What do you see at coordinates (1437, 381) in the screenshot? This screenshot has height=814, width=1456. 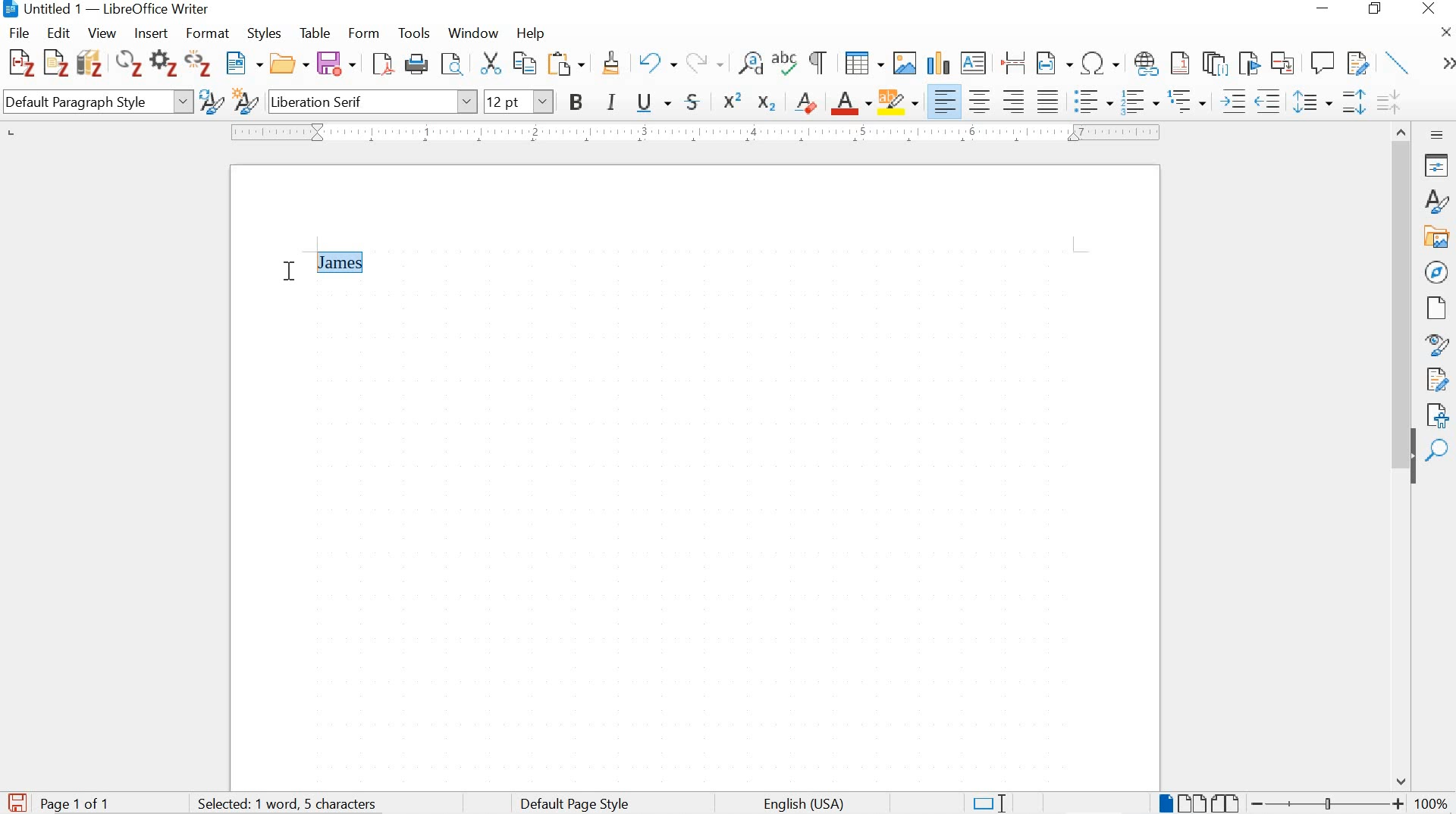 I see `manage changes` at bounding box center [1437, 381].